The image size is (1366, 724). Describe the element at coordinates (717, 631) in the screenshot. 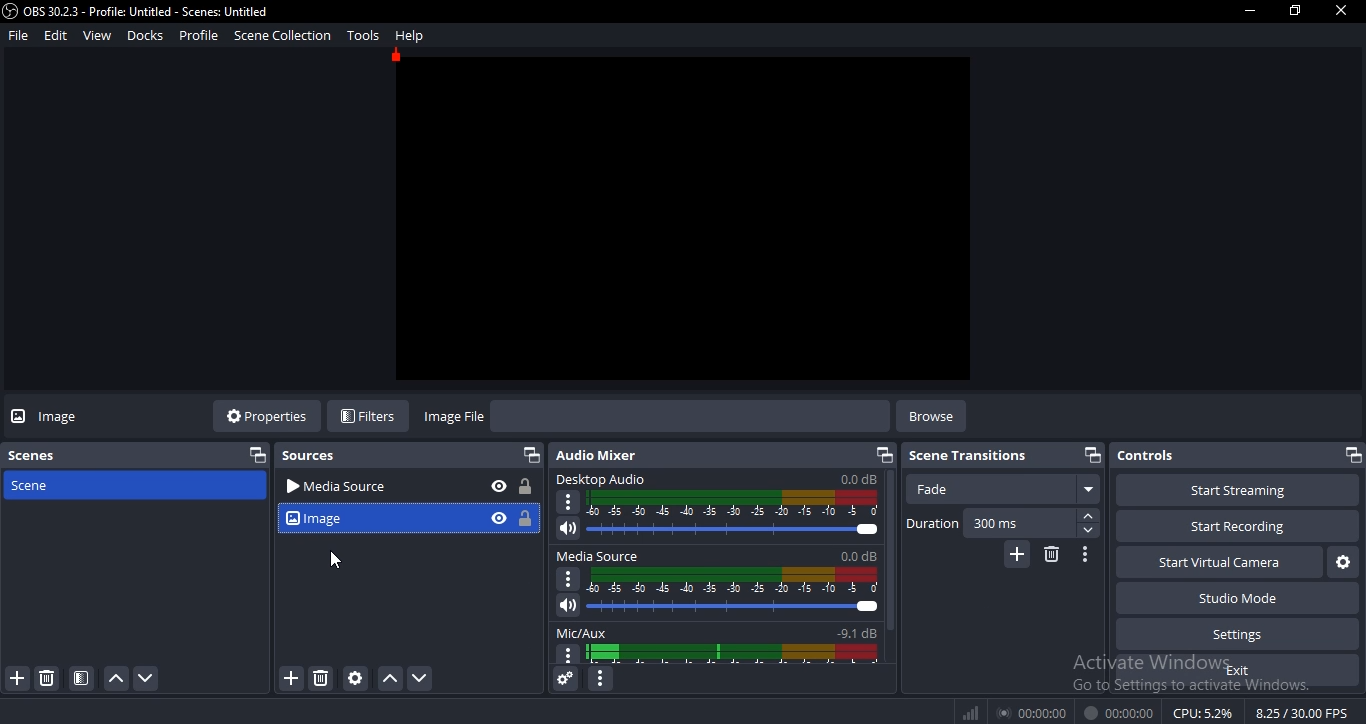

I see `mic/aux` at that location.